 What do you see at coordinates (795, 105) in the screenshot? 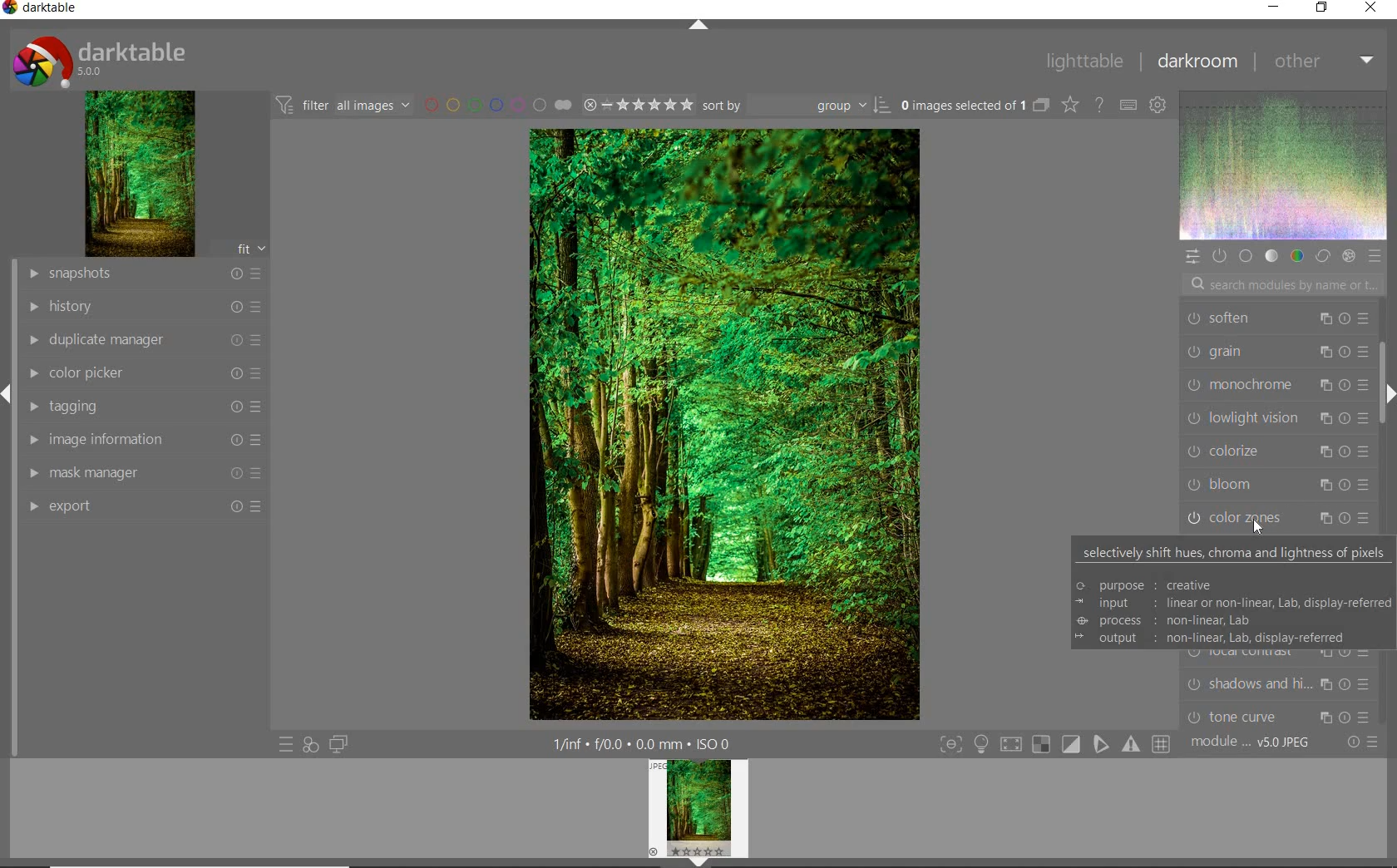
I see `SORT` at bounding box center [795, 105].